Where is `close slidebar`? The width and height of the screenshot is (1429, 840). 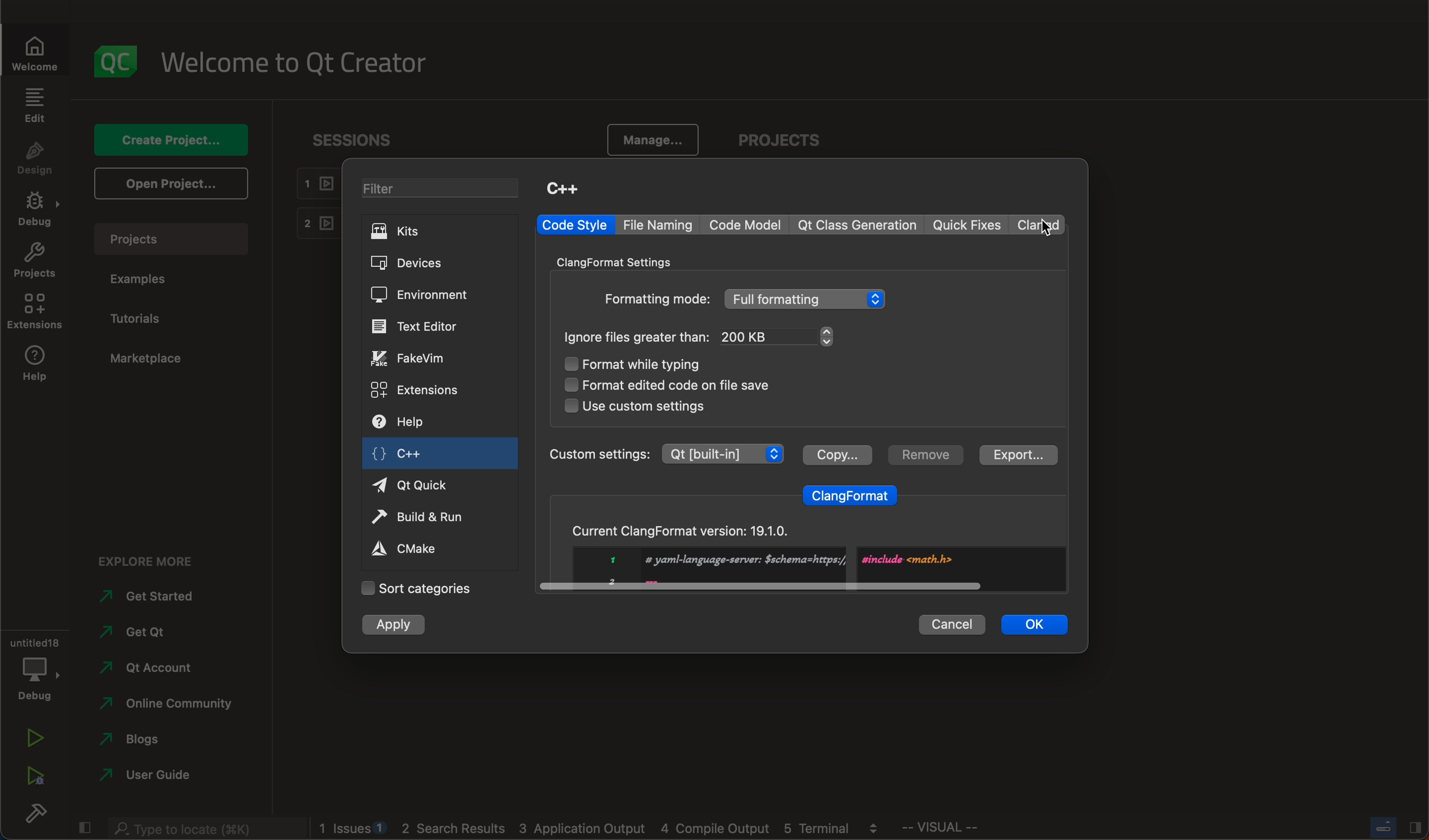
close slidebar is located at coordinates (1398, 829).